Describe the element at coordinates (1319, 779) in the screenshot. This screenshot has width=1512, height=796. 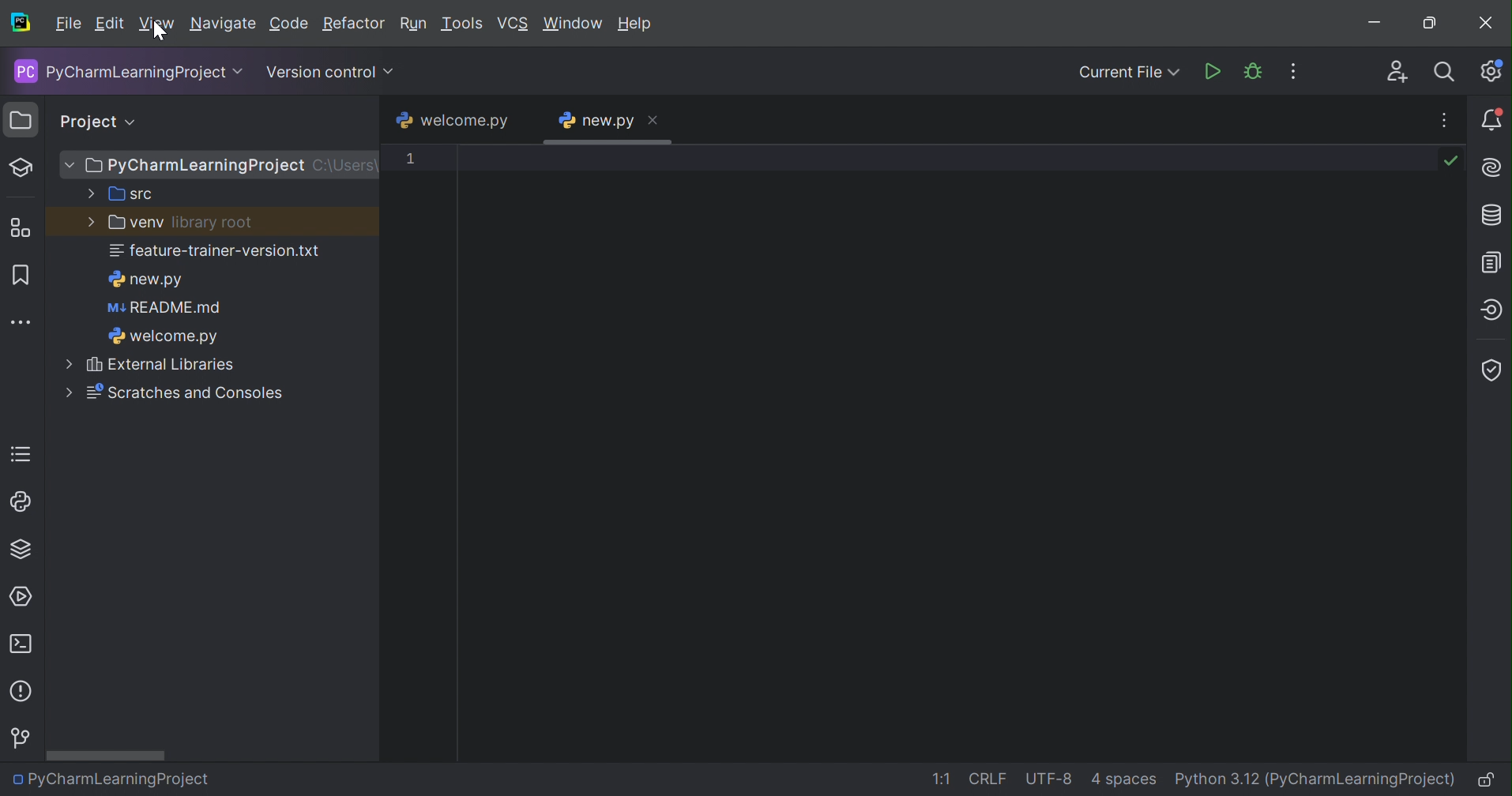
I see `Python 3.12 (PyCharmLearningProject)` at that location.